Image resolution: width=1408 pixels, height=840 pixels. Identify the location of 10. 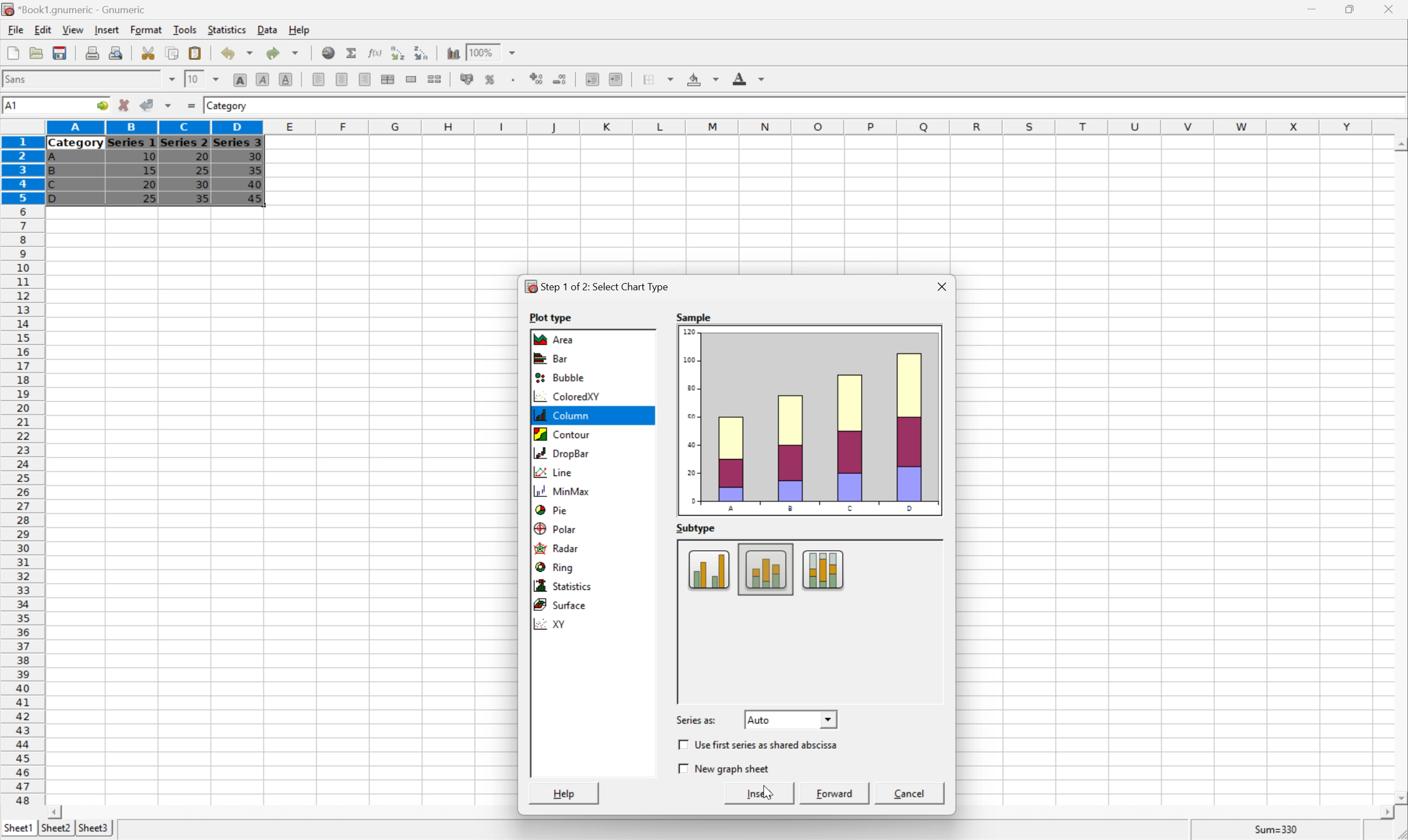
(149, 157).